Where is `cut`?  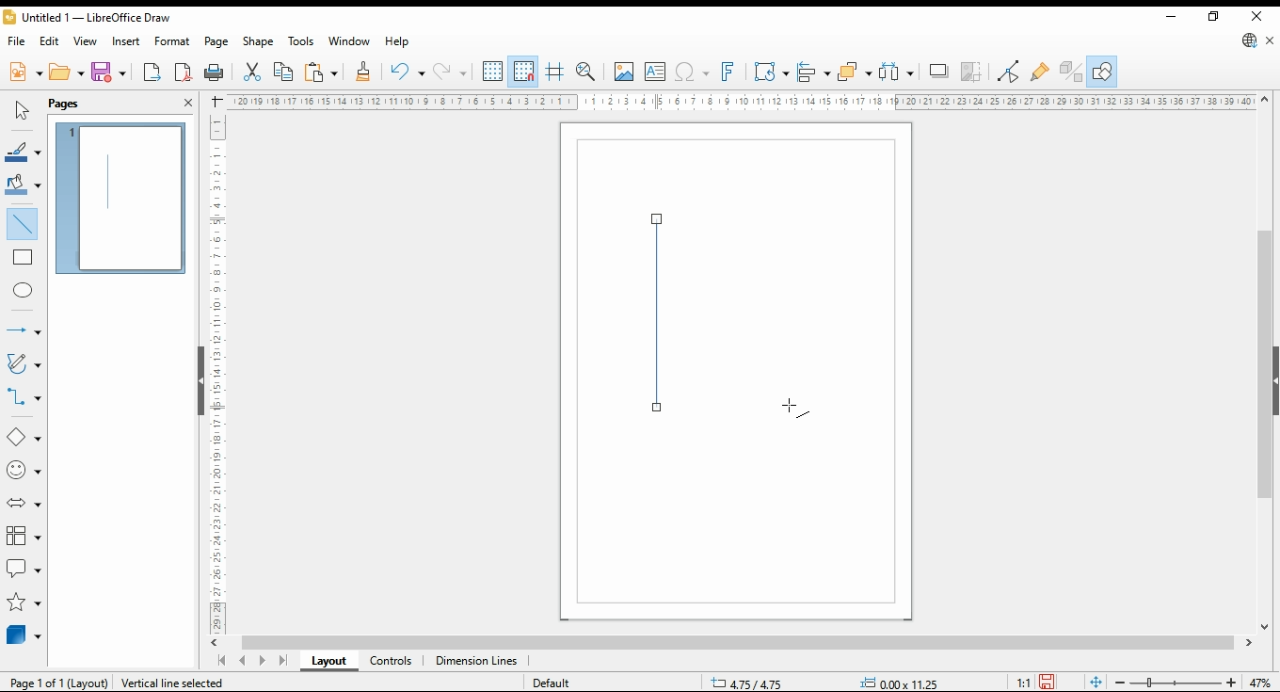 cut is located at coordinates (250, 72).